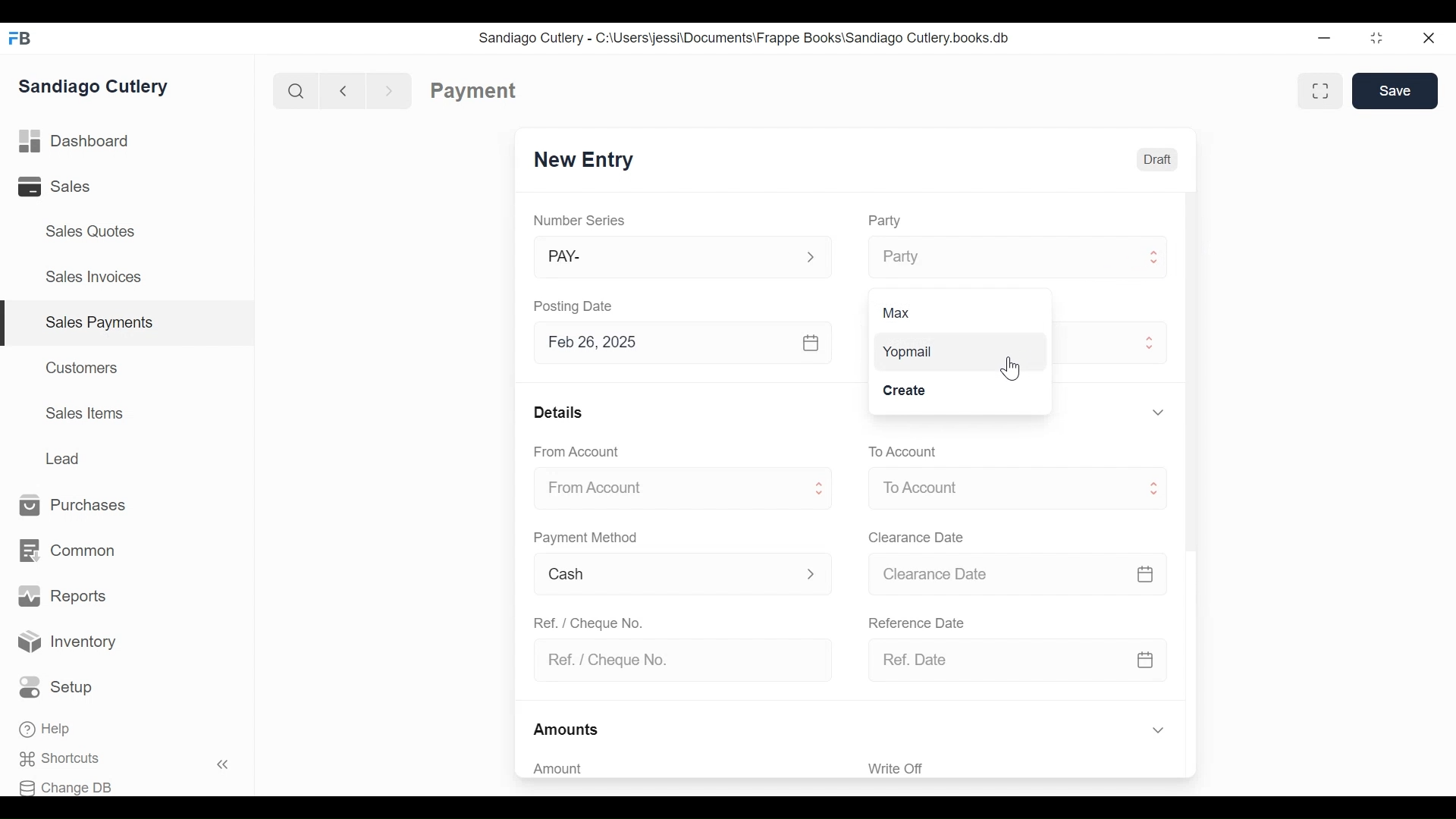  Describe the element at coordinates (567, 730) in the screenshot. I see `Amounts` at that location.